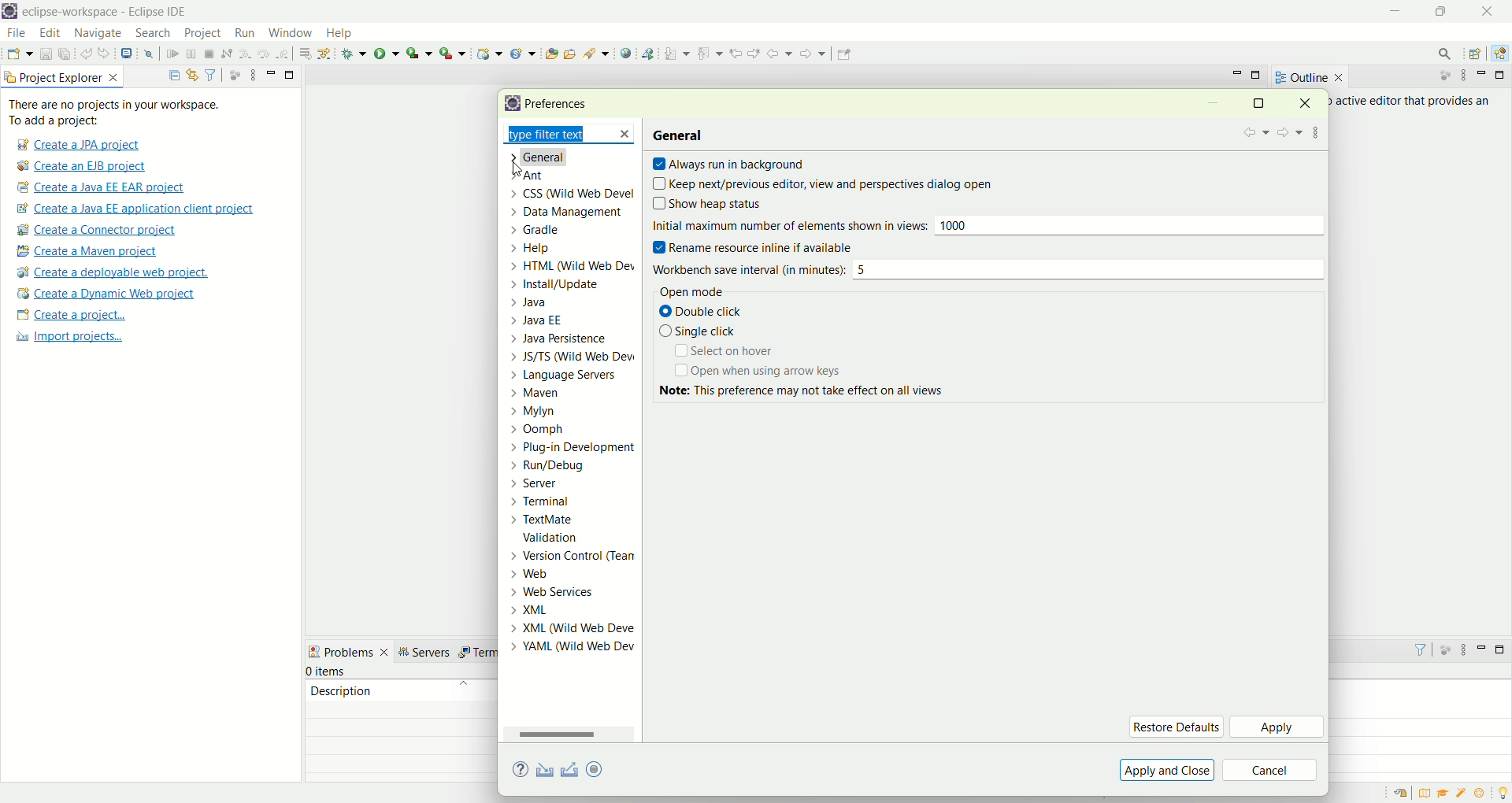 Image resolution: width=1512 pixels, height=803 pixels. What do you see at coordinates (170, 76) in the screenshot?
I see `collapse all` at bounding box center [170, 76].